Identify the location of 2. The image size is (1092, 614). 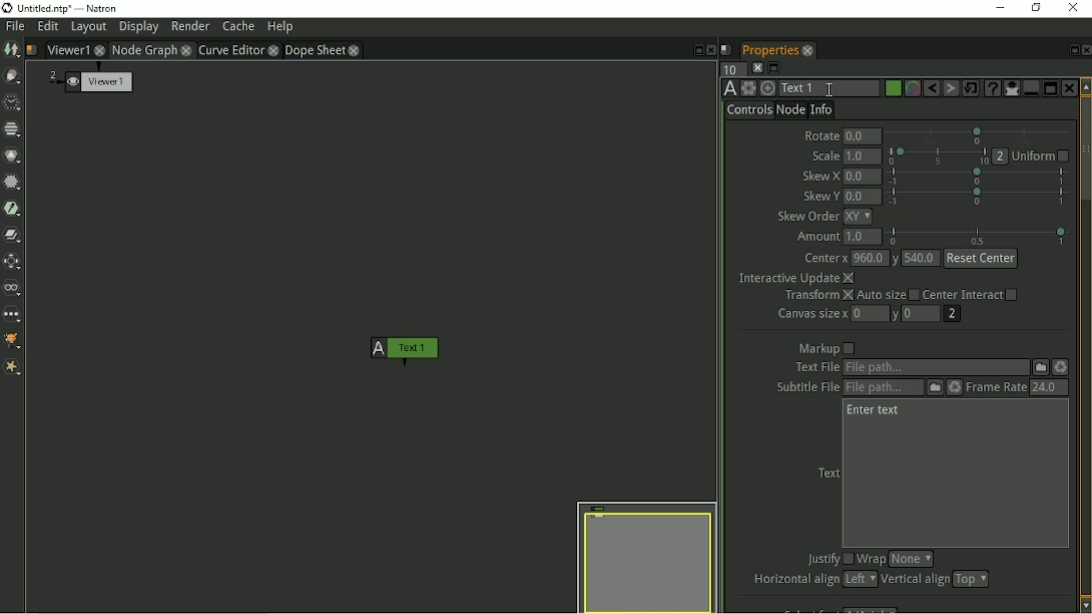
(953, 315).